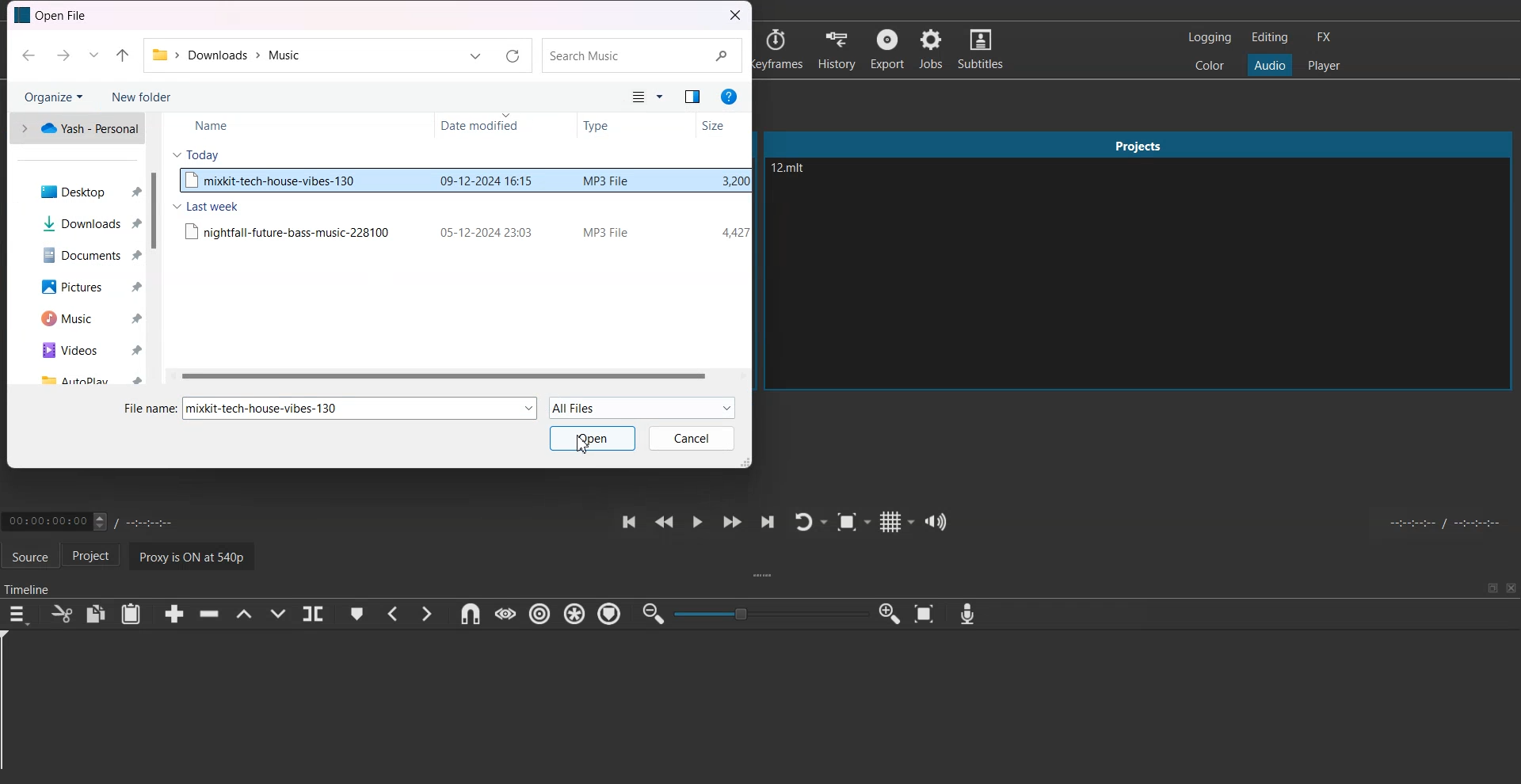 This screenshot has height=784, width=1521. I want to click on Desktop, so click(82, 191).